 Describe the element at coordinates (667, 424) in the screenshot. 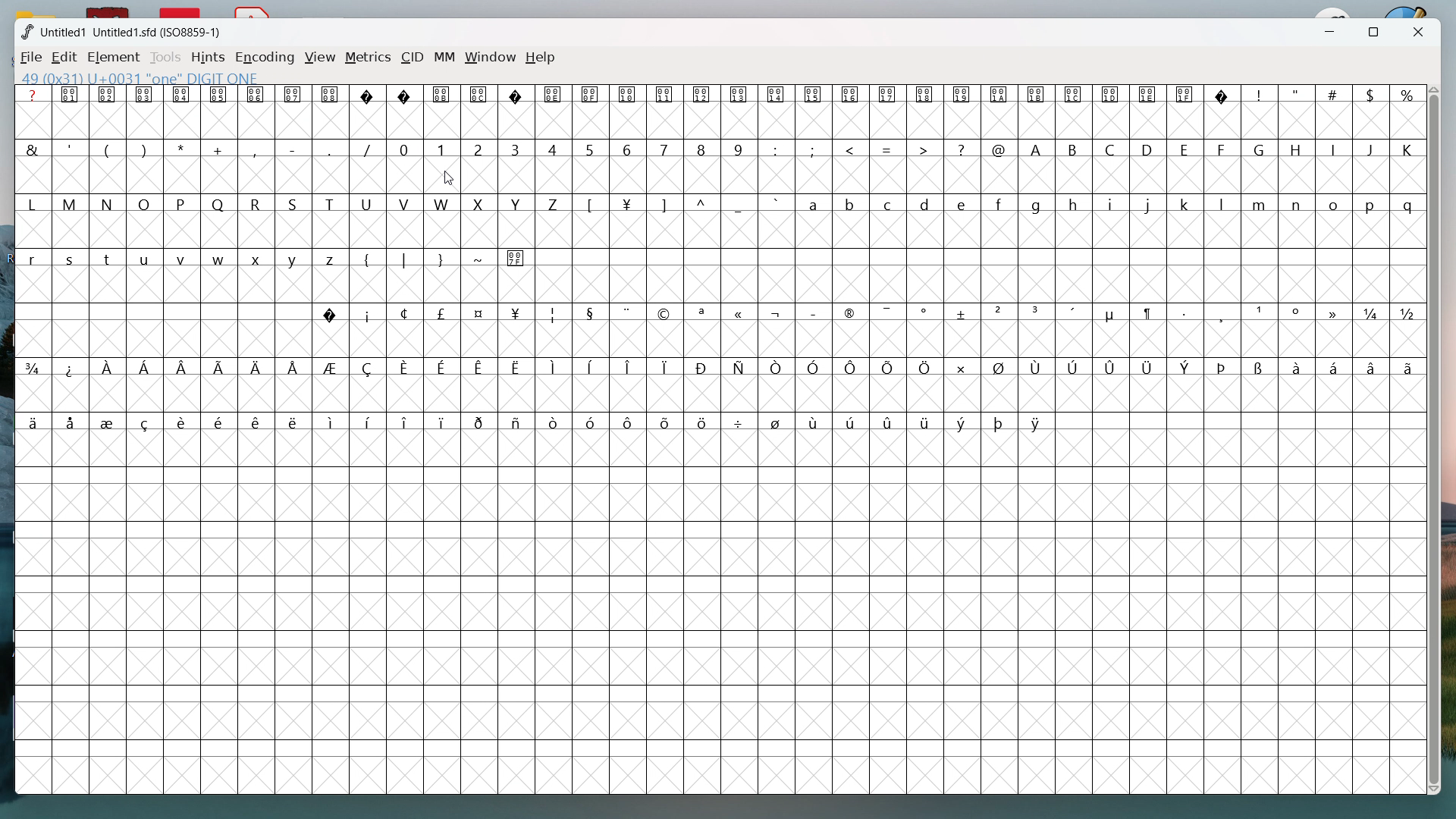

I see `symbol` at that location.